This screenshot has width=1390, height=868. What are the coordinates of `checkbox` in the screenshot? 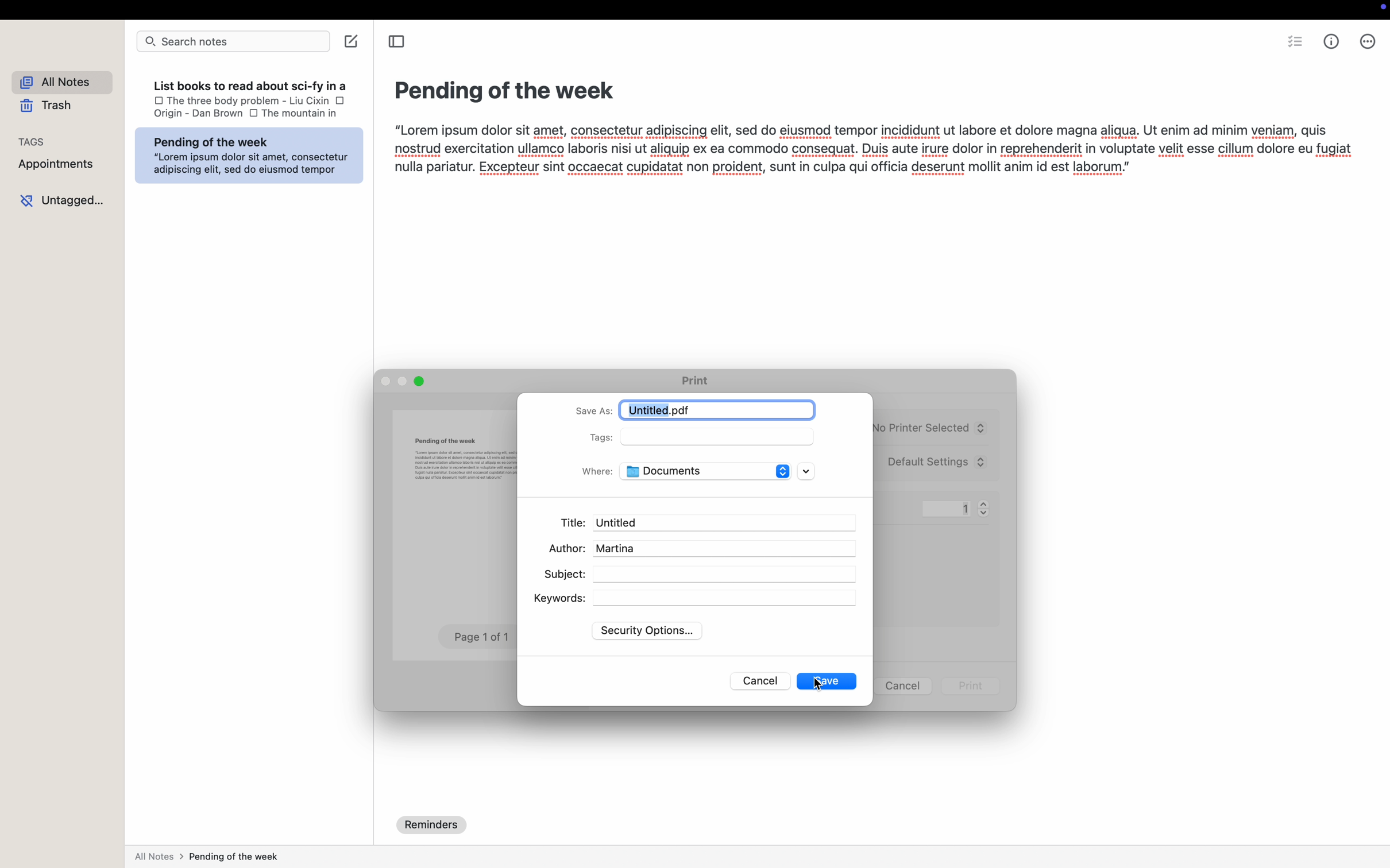 It's located at (254, 114).